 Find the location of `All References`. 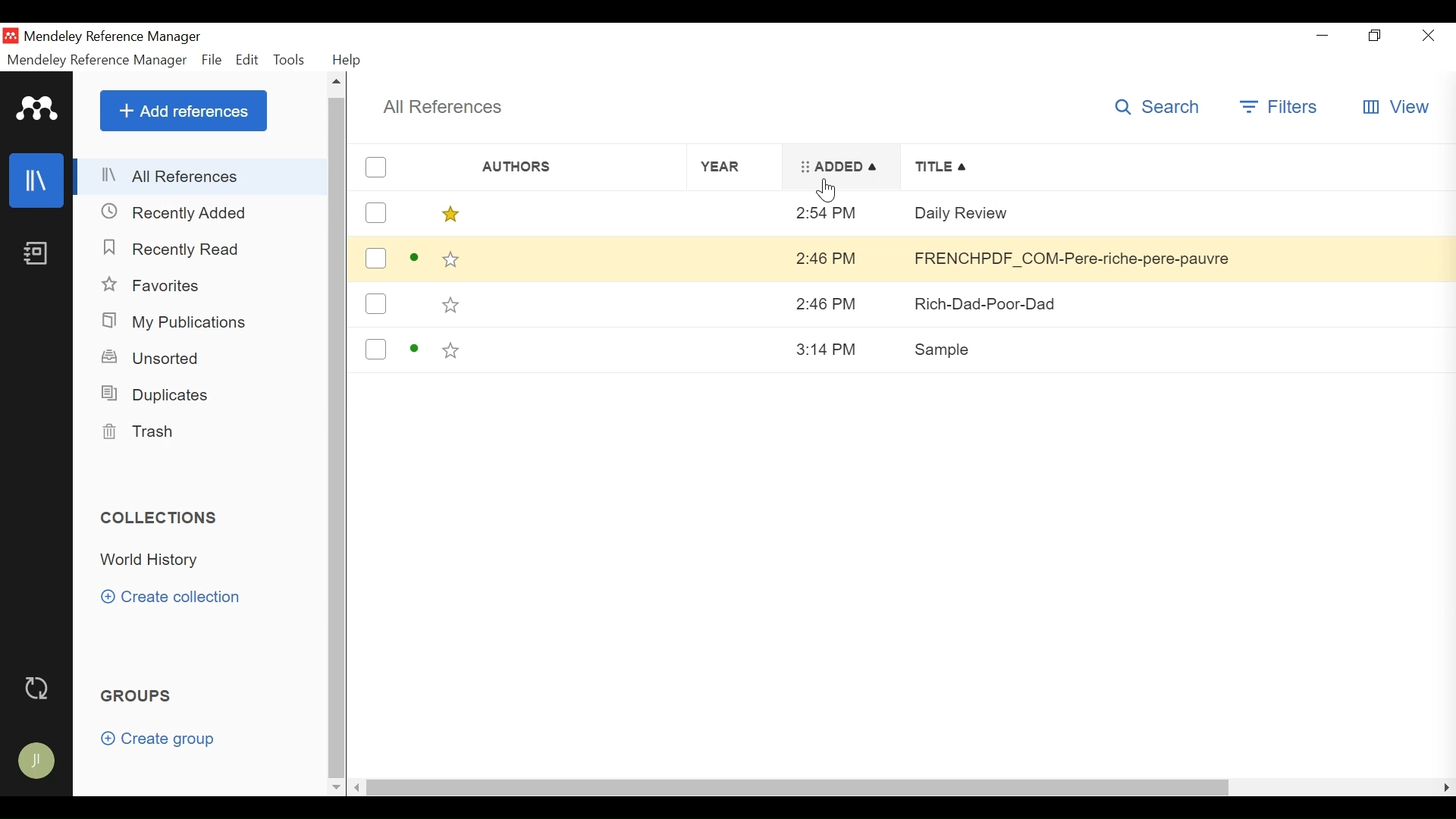

All References is located at coordinates (201, 176).